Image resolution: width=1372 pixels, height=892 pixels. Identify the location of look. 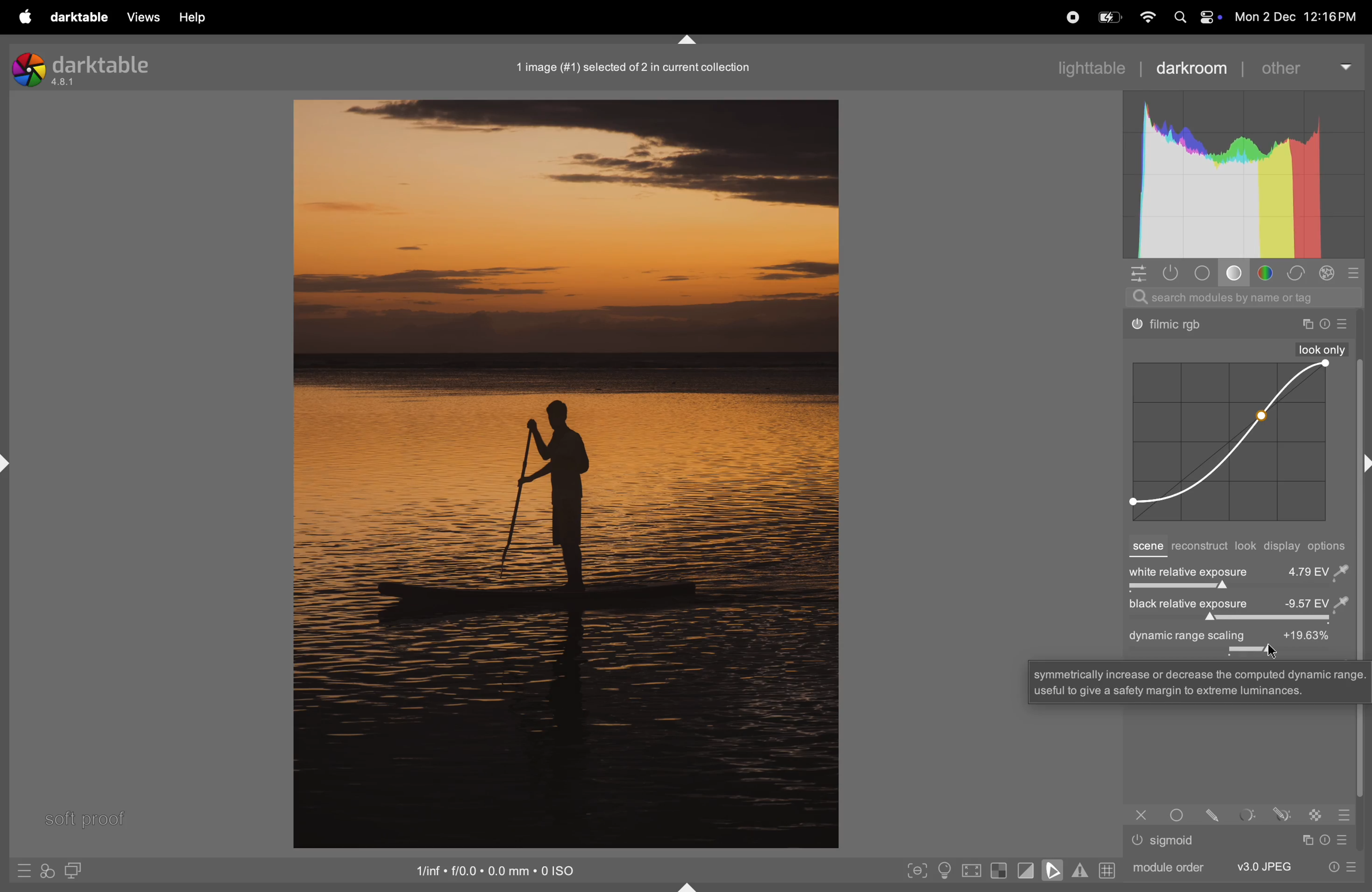
(1246, 546).